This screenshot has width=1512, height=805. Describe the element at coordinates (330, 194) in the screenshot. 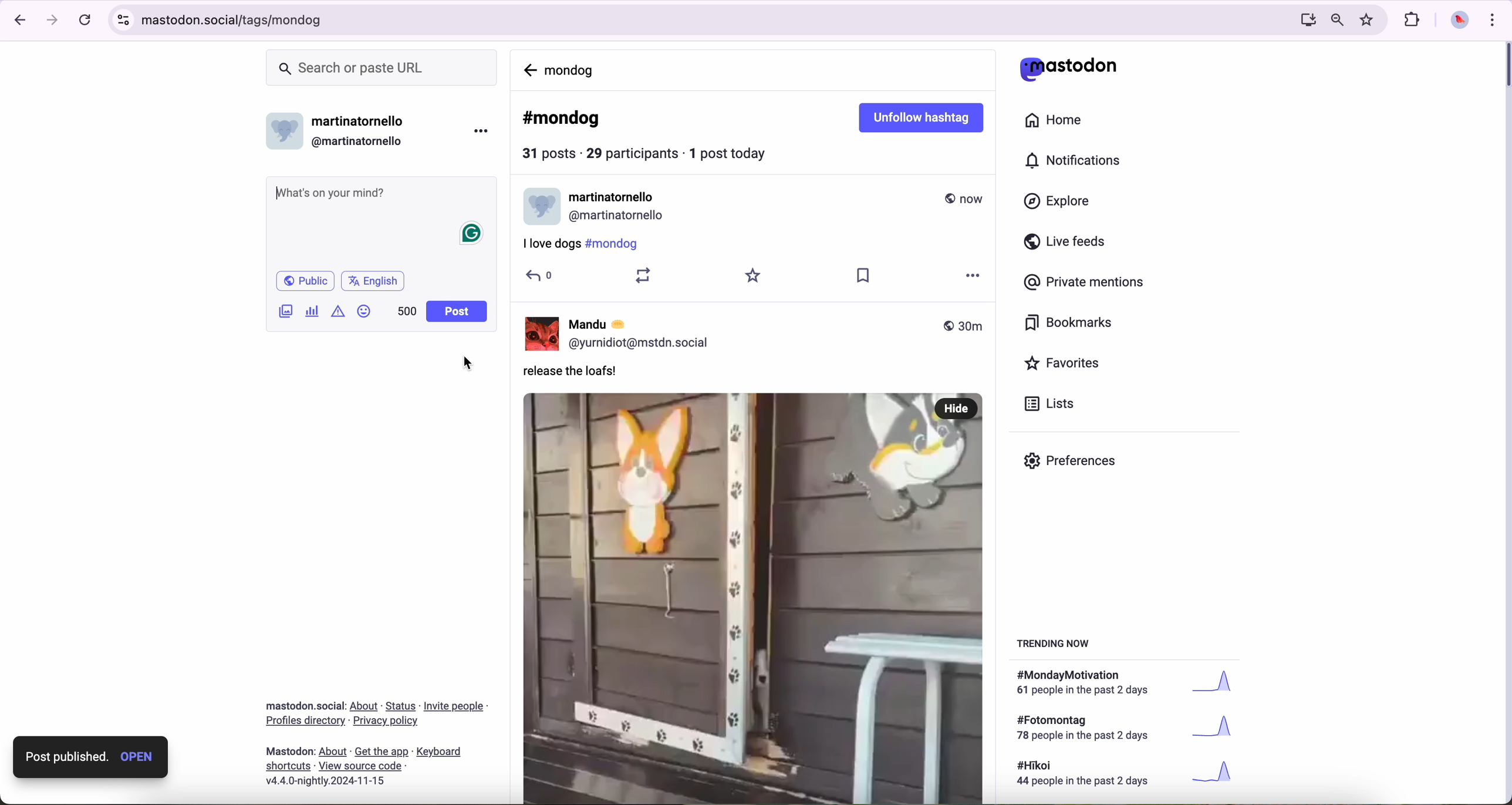

I see `Whats on your mind?` at that location.